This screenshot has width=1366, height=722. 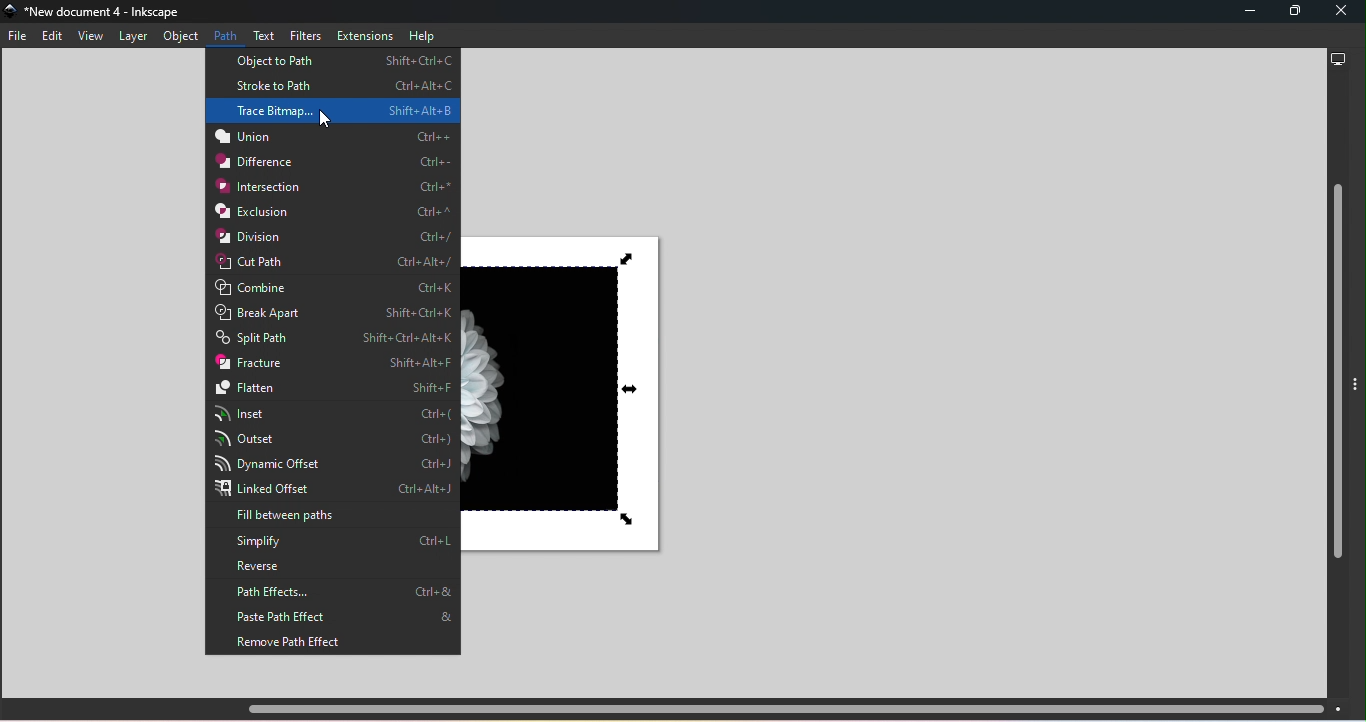 I want to click on Paste path effects, so click(x=340, y=617).